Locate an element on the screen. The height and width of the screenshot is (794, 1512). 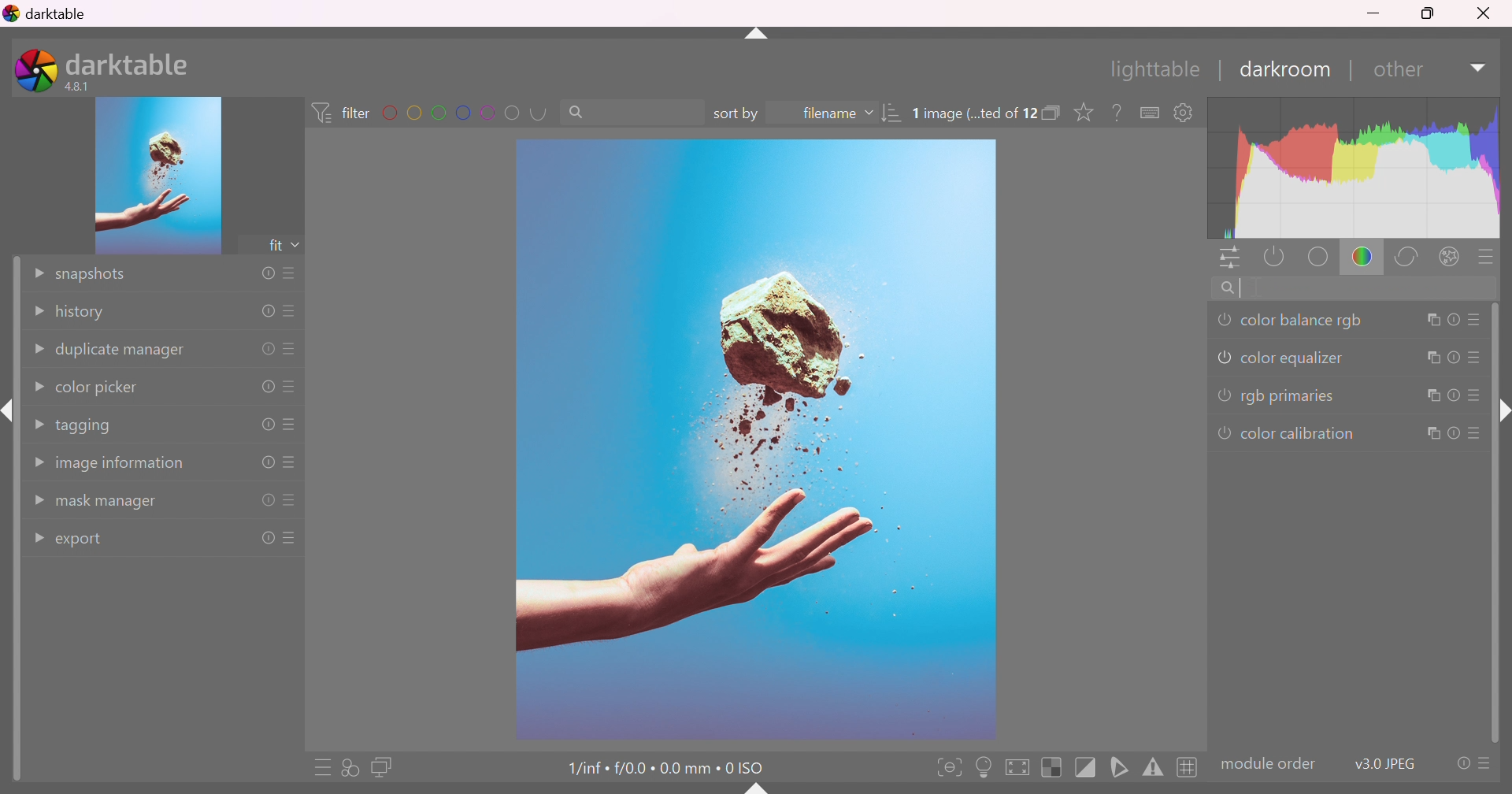
Drop Down is located at coordinates (41, 462).